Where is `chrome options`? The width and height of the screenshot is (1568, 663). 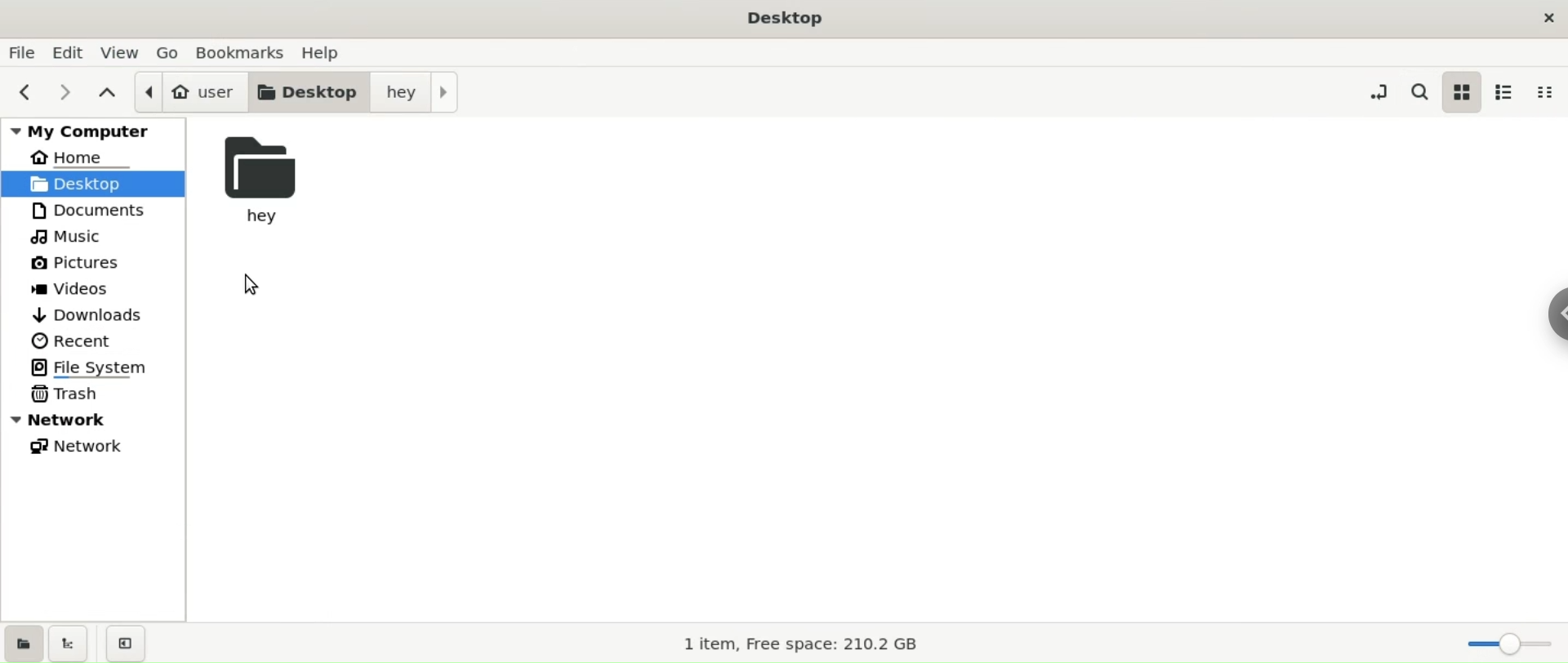
chrome options is located at coordinates (1548, 309).